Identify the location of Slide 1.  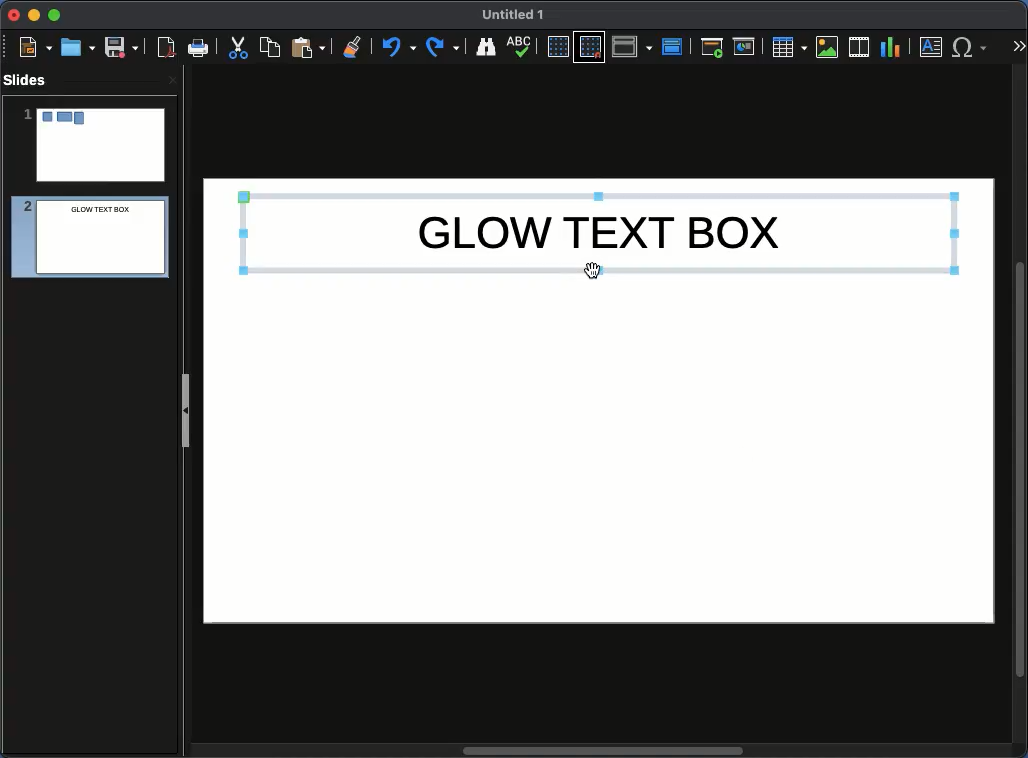
(93, 145).